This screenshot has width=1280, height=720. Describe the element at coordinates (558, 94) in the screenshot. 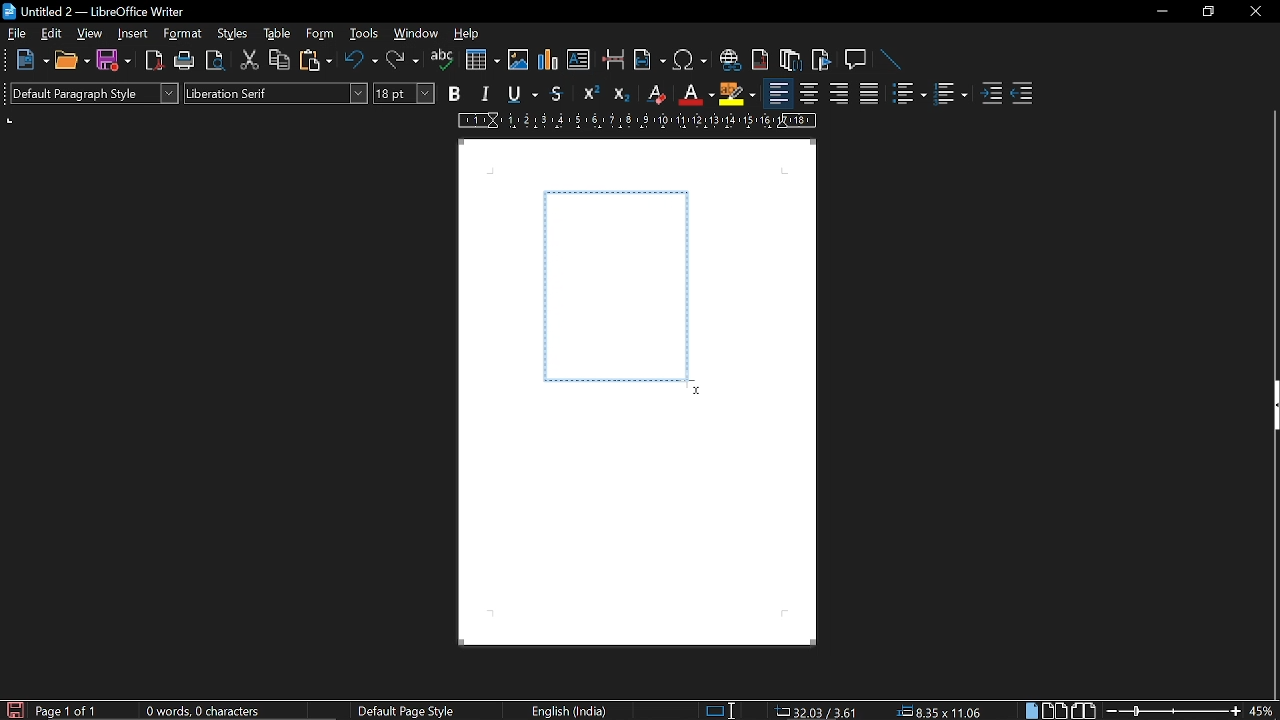

I see `strikethrough` at that location.